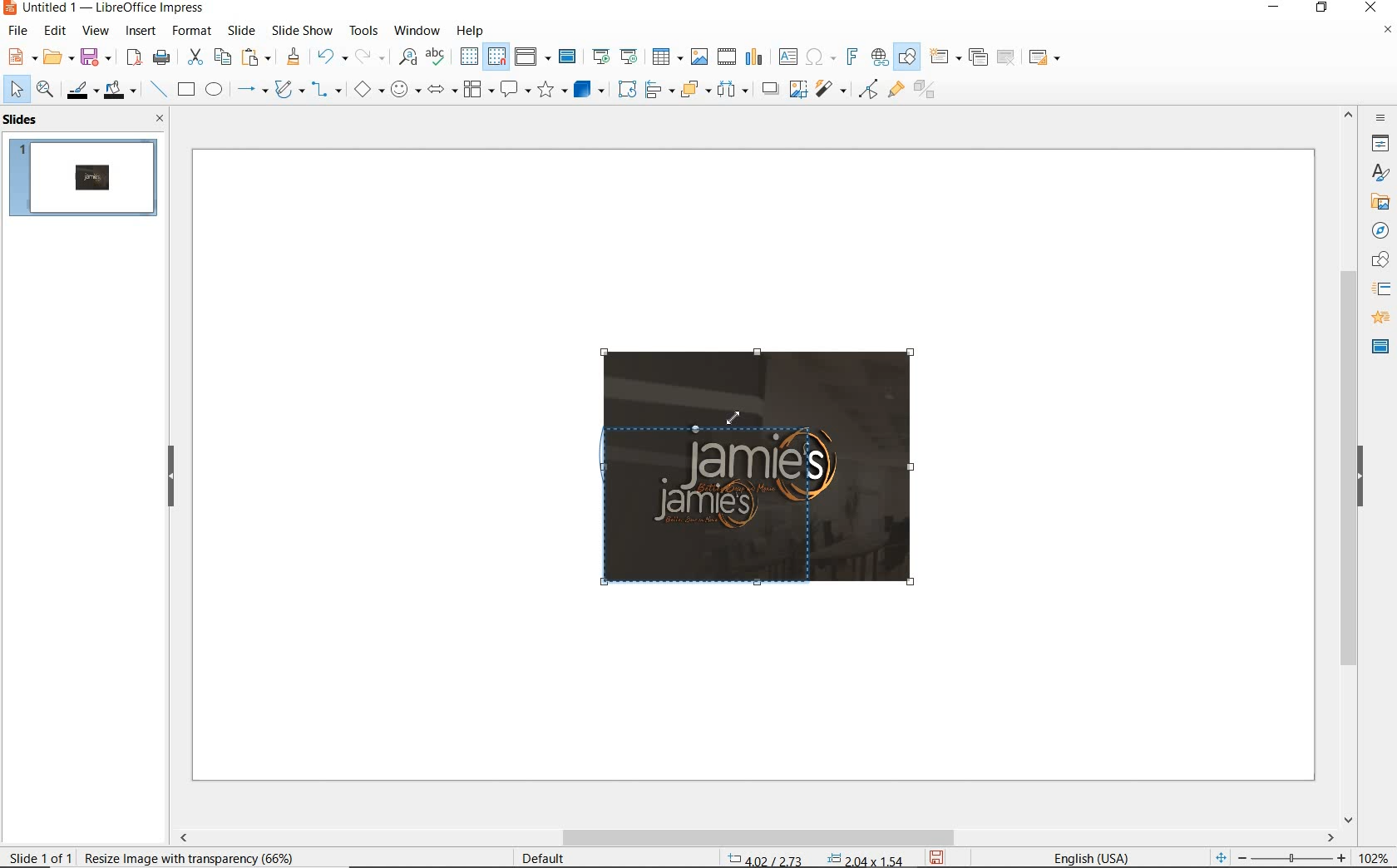 This screenshot has height=868, width=1397. I want to click on window, so click(417, 29).